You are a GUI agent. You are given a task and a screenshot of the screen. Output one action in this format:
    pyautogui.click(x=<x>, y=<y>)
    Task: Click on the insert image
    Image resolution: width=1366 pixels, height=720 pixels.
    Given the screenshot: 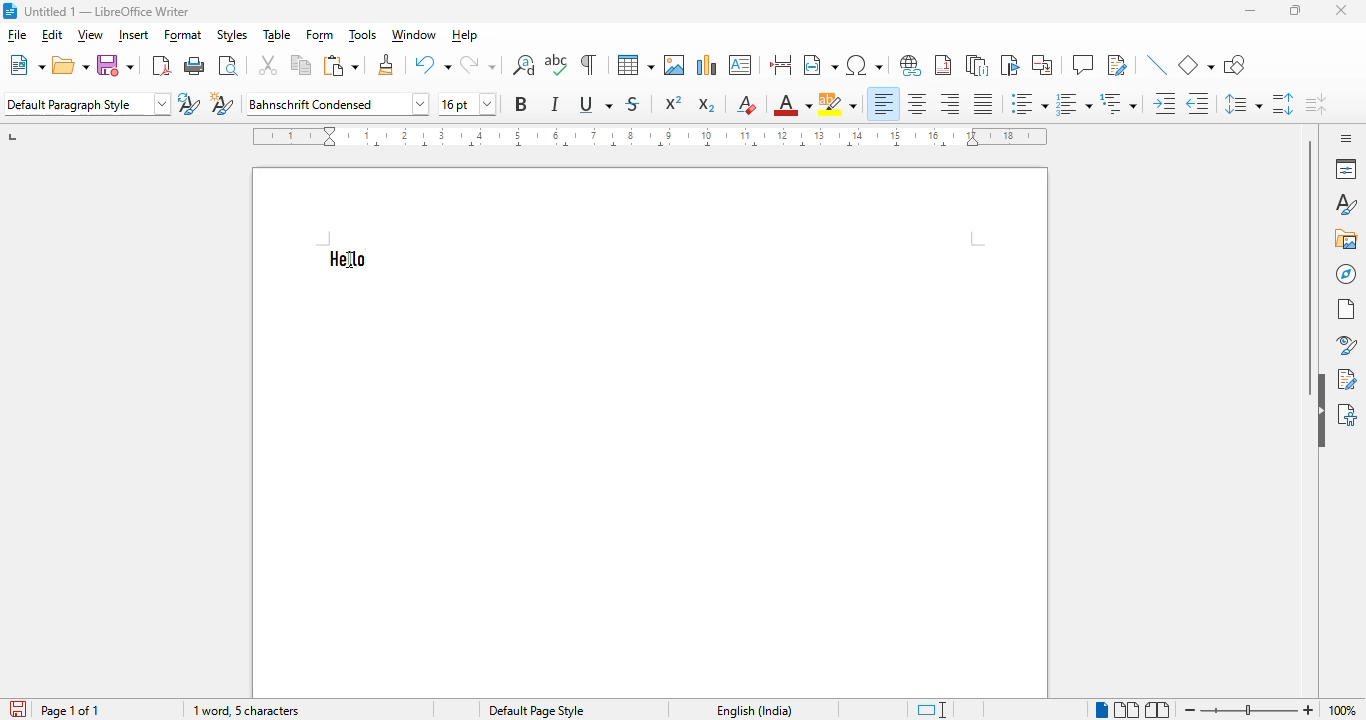 What is the action you would take?
    pyautogui.click(x=675, y=65)
    